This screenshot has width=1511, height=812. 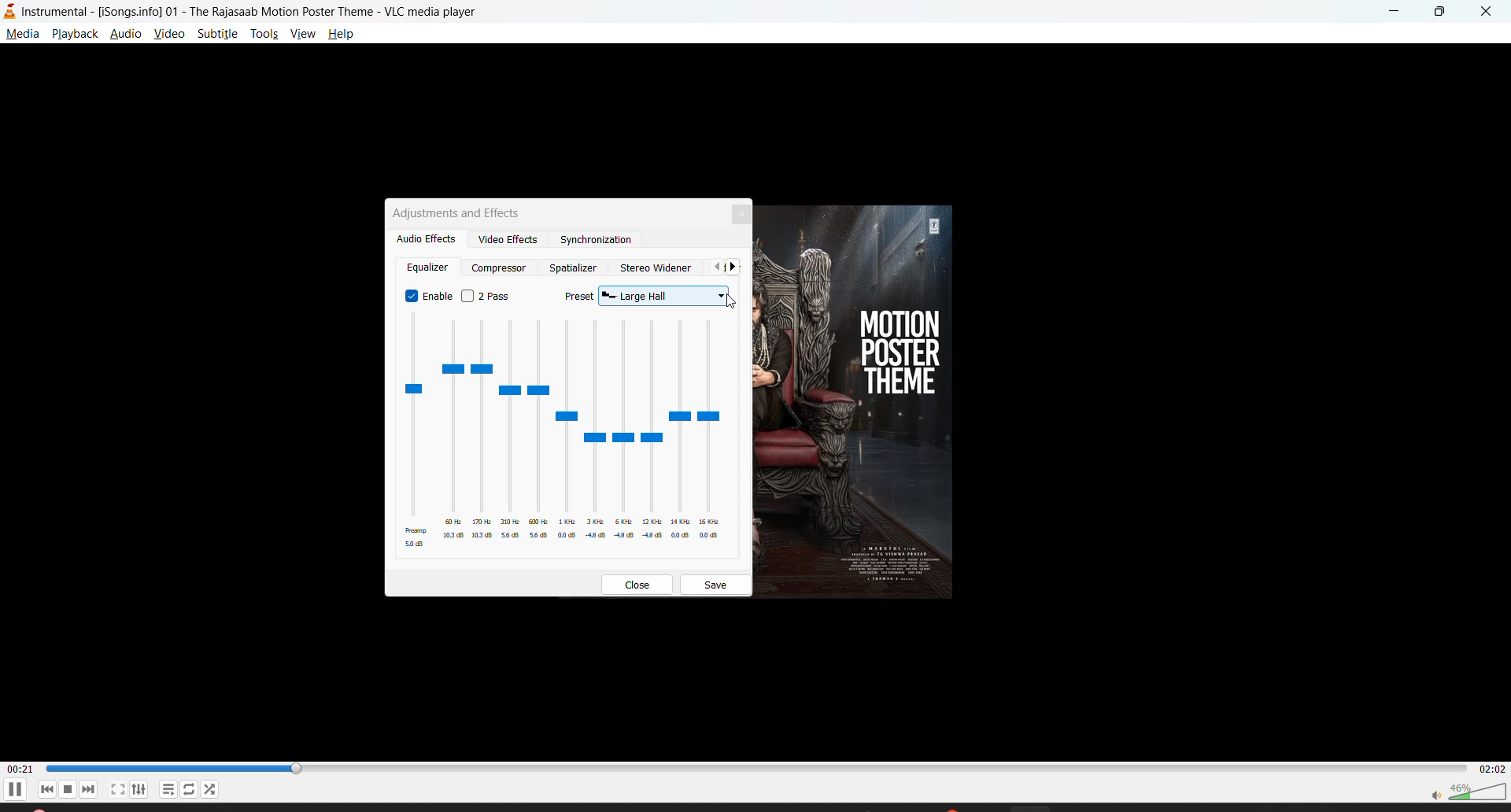 What do you see at coordinates (427, 298) in the screenshot?
I see `enable` at bounding box center [427, 298].